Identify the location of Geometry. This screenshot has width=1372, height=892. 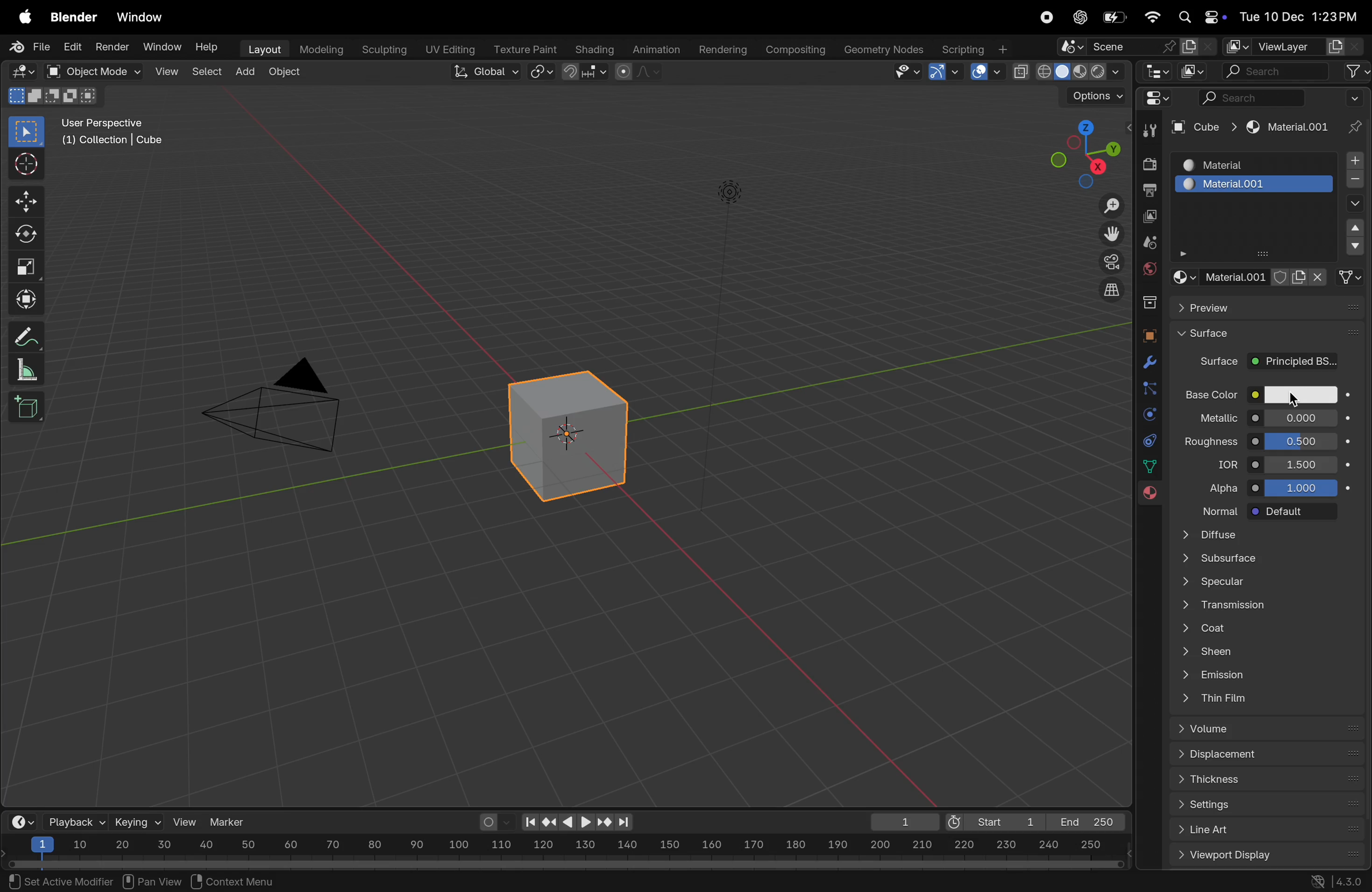
(885, 50).